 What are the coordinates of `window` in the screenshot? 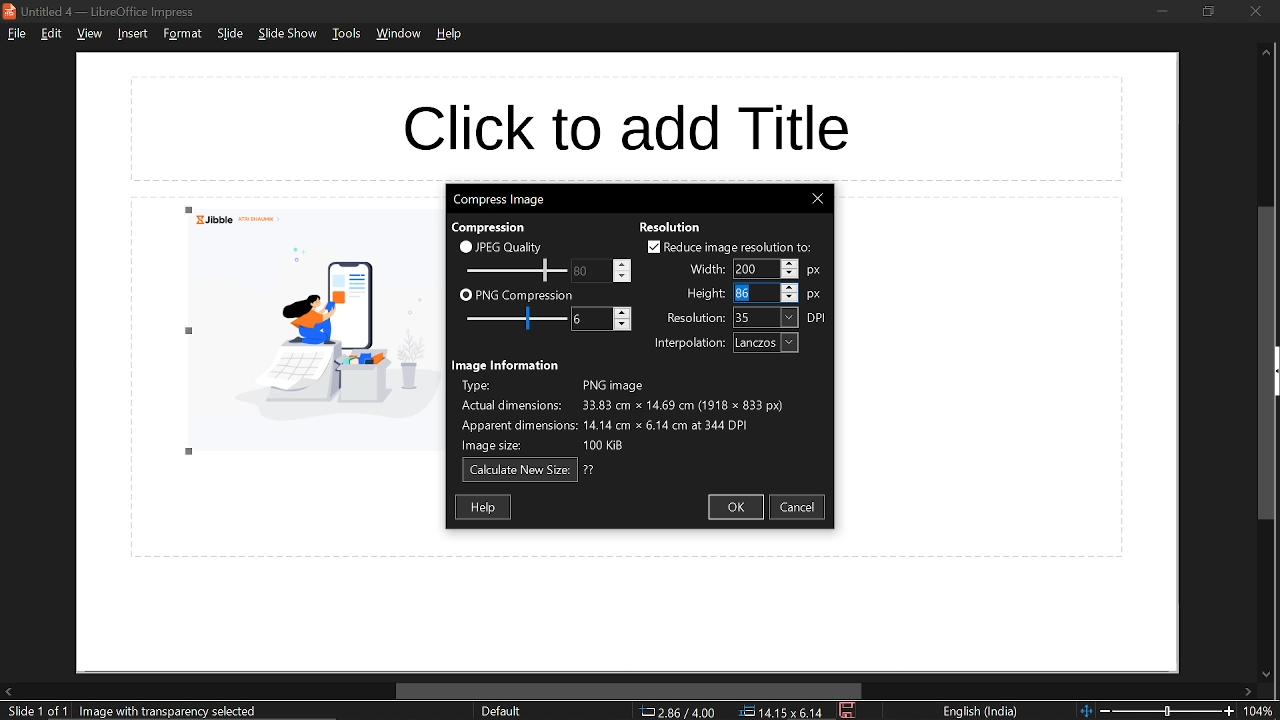 It's located at (401, 34).